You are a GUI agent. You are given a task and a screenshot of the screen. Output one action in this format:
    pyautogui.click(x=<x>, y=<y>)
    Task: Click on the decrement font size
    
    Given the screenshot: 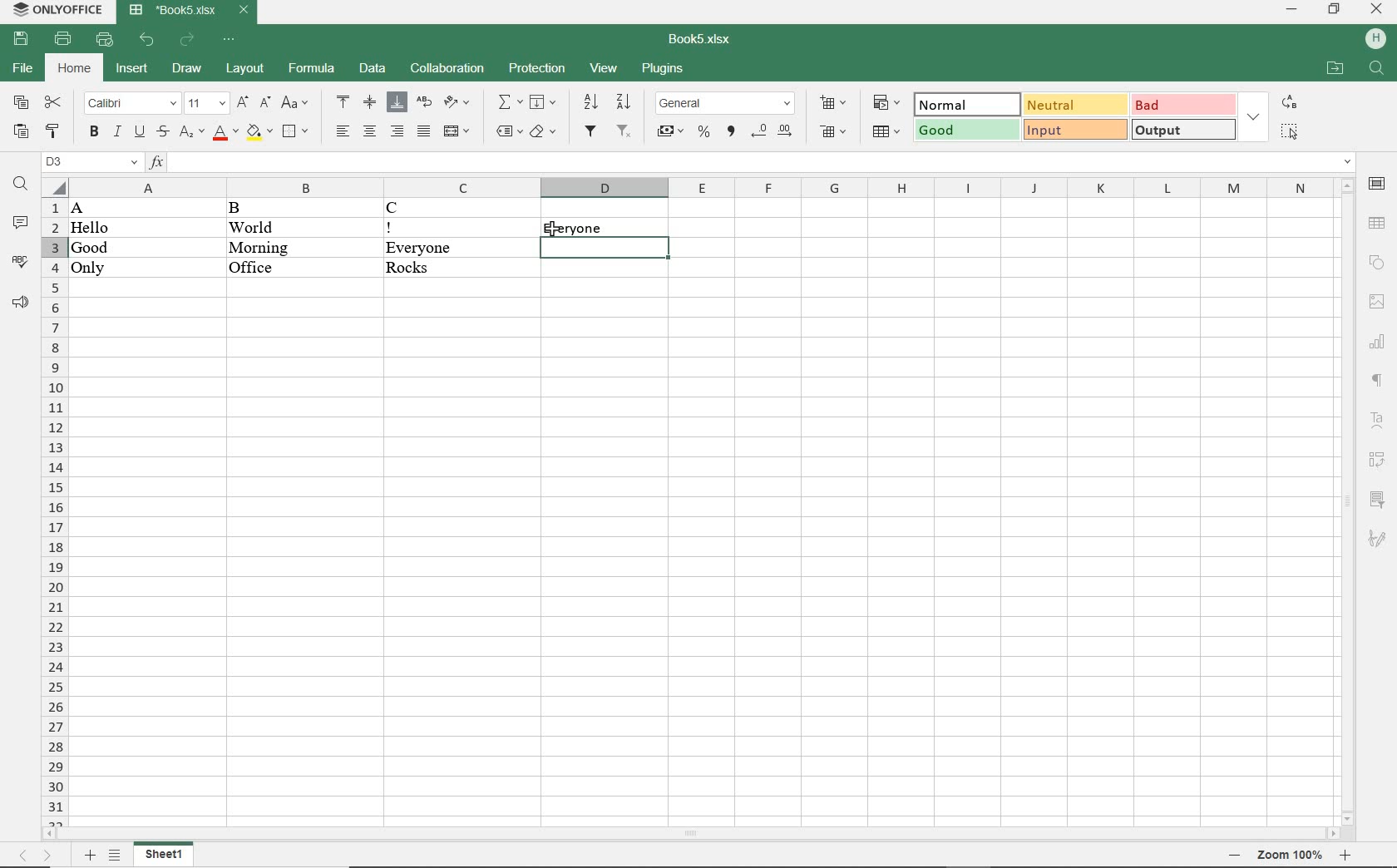 What is the action you would take?
    pyautogui.click(x=264, y=105)
    